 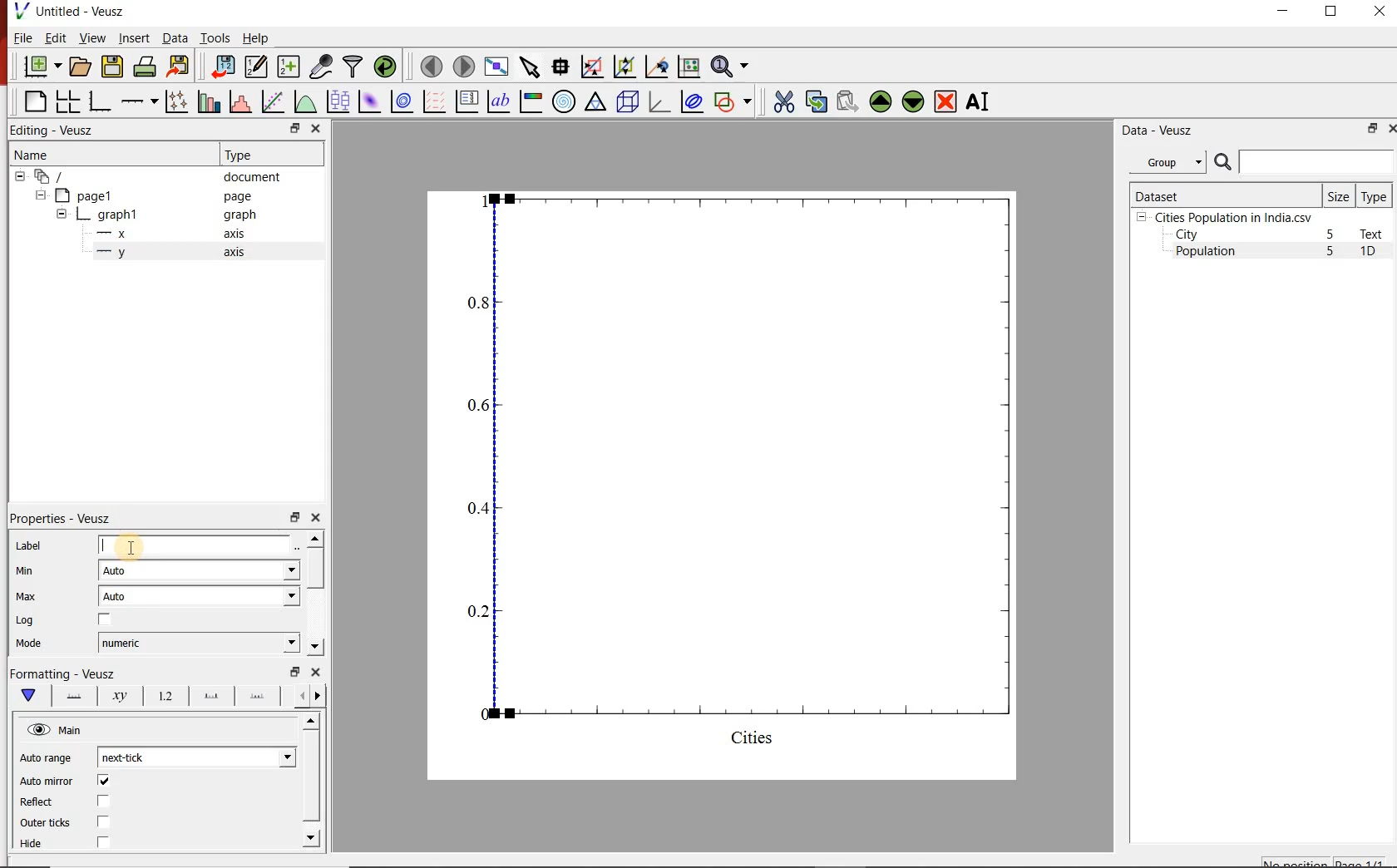 I want to click on plot key, so click(x=466, y=101).